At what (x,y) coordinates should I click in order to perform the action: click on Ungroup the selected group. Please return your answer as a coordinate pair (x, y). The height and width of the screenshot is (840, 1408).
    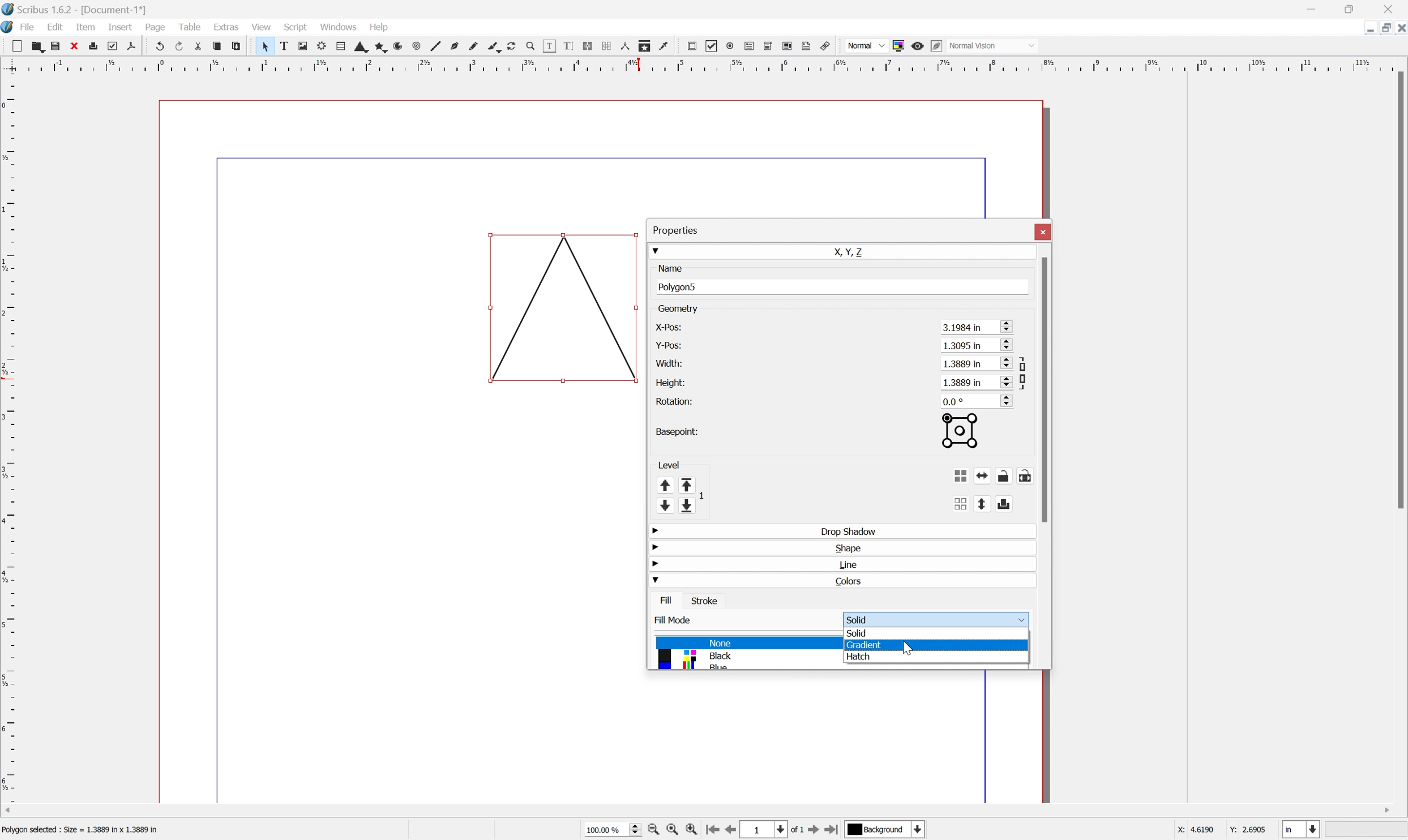
    Looking at the image, I should click on (973, 502).